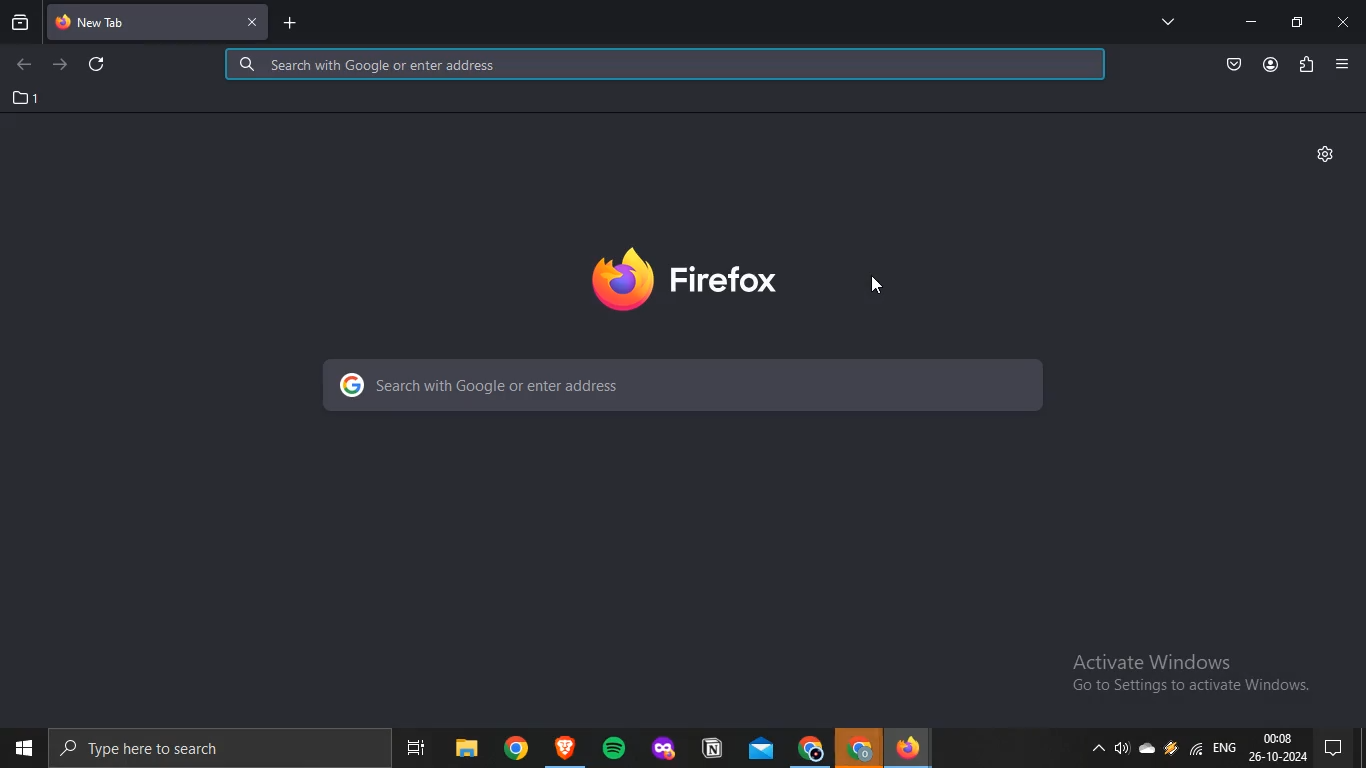 Image resolution: width=1366 pixels, height=768 pixels. I want to click on 00:08, so click(1277, 738).